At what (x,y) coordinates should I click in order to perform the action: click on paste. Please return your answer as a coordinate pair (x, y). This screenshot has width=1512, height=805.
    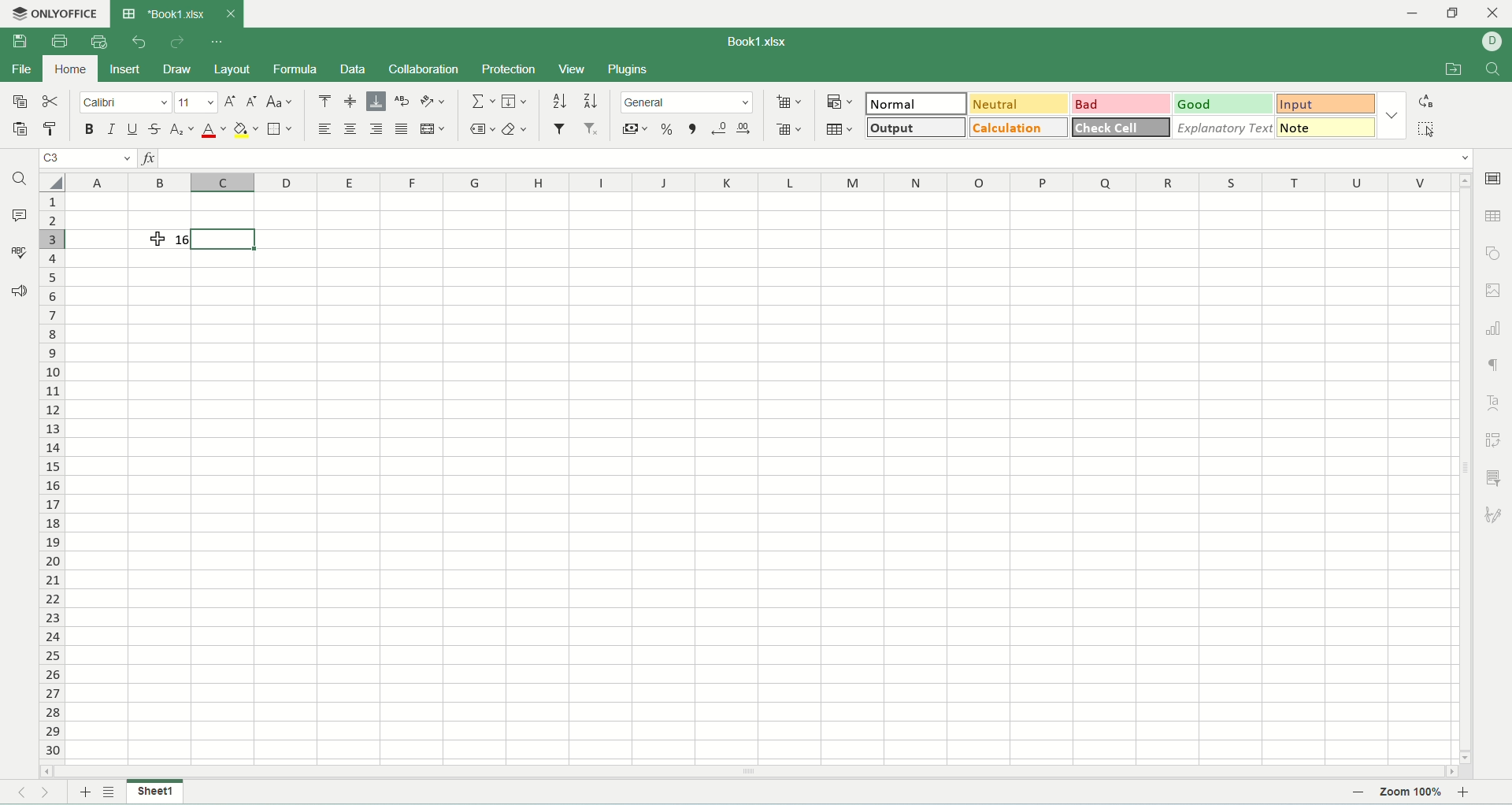
    Looking at the image, I should click on (21, 130).